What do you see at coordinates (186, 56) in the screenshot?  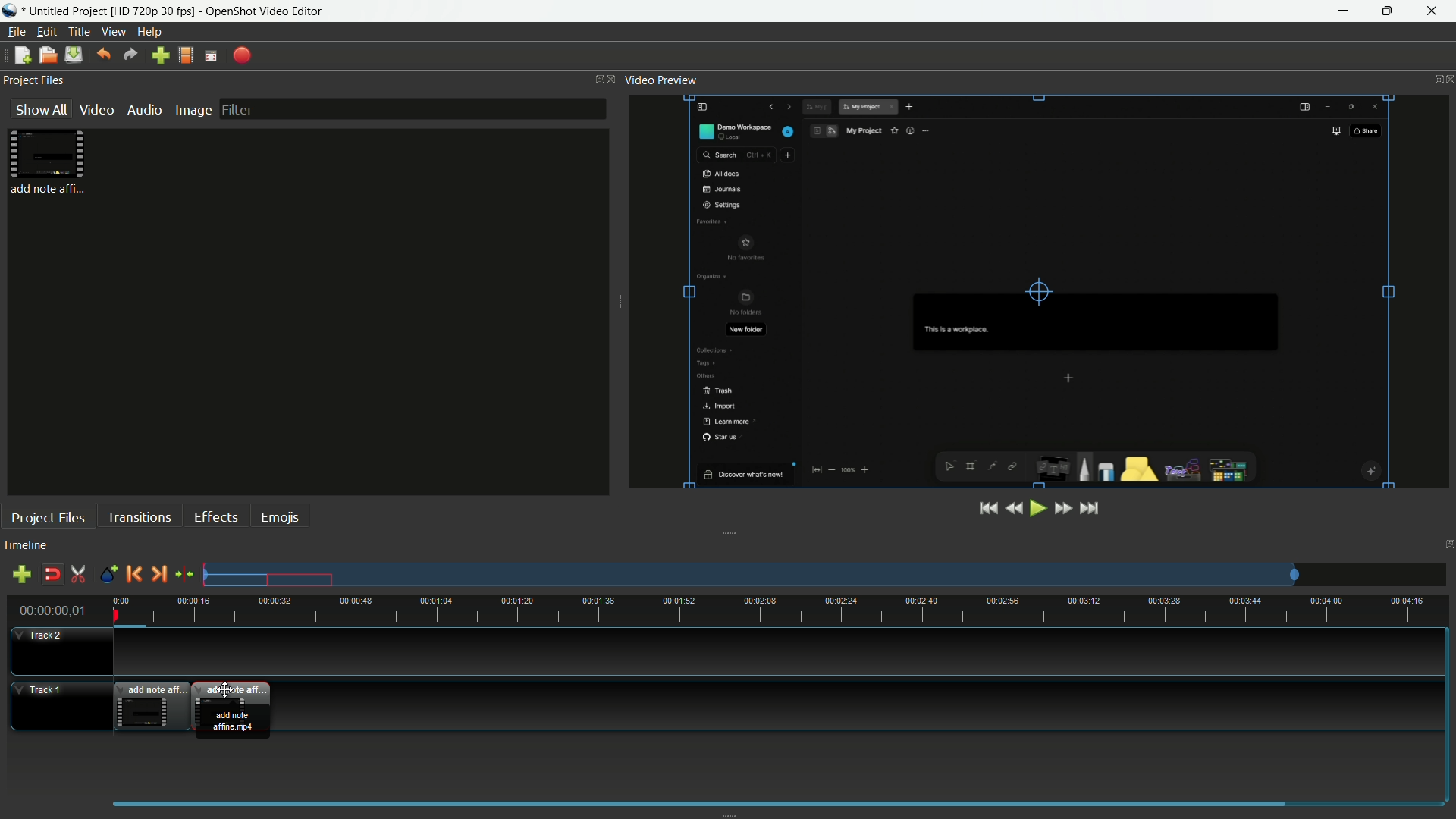 I see `profile` at bounding box center [186, 56].